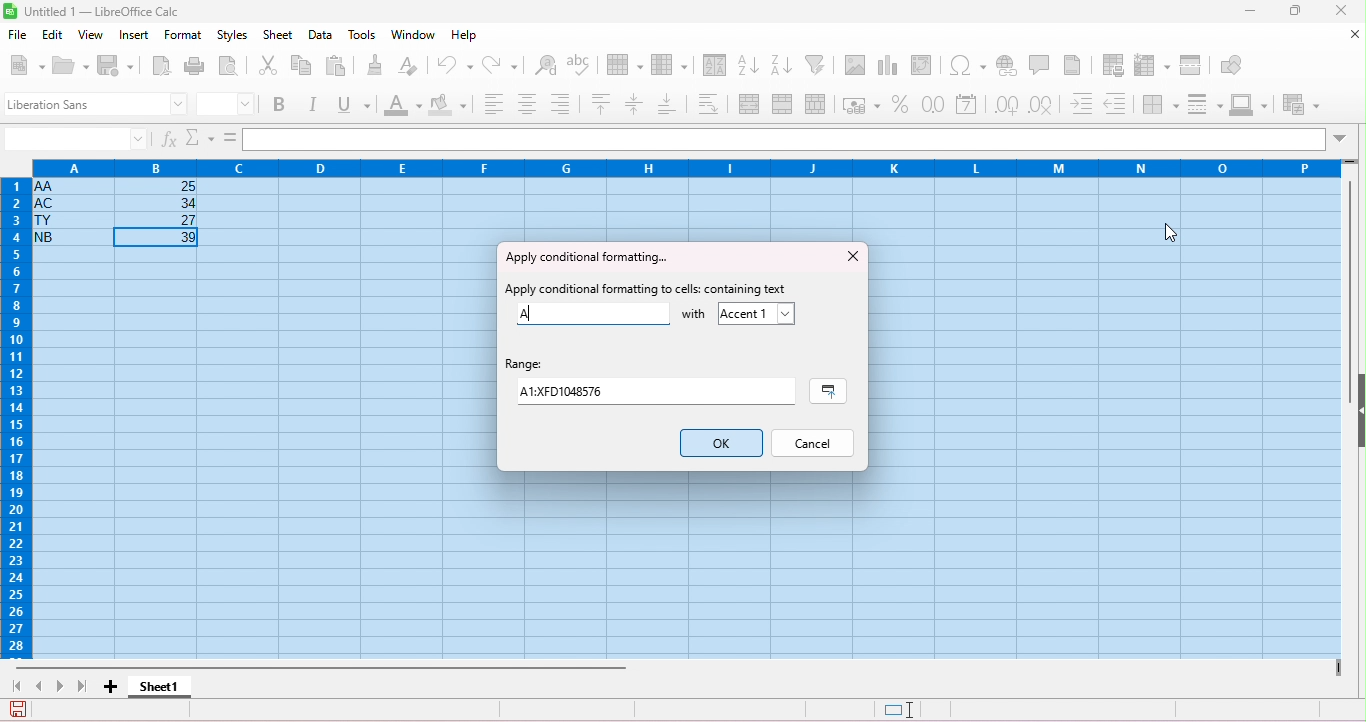 Image resolution: width=1366 pixels, height=722 pixels. Describe the element at coordinates (861, 104) in the screenshot. I see `format as currency` at that location.